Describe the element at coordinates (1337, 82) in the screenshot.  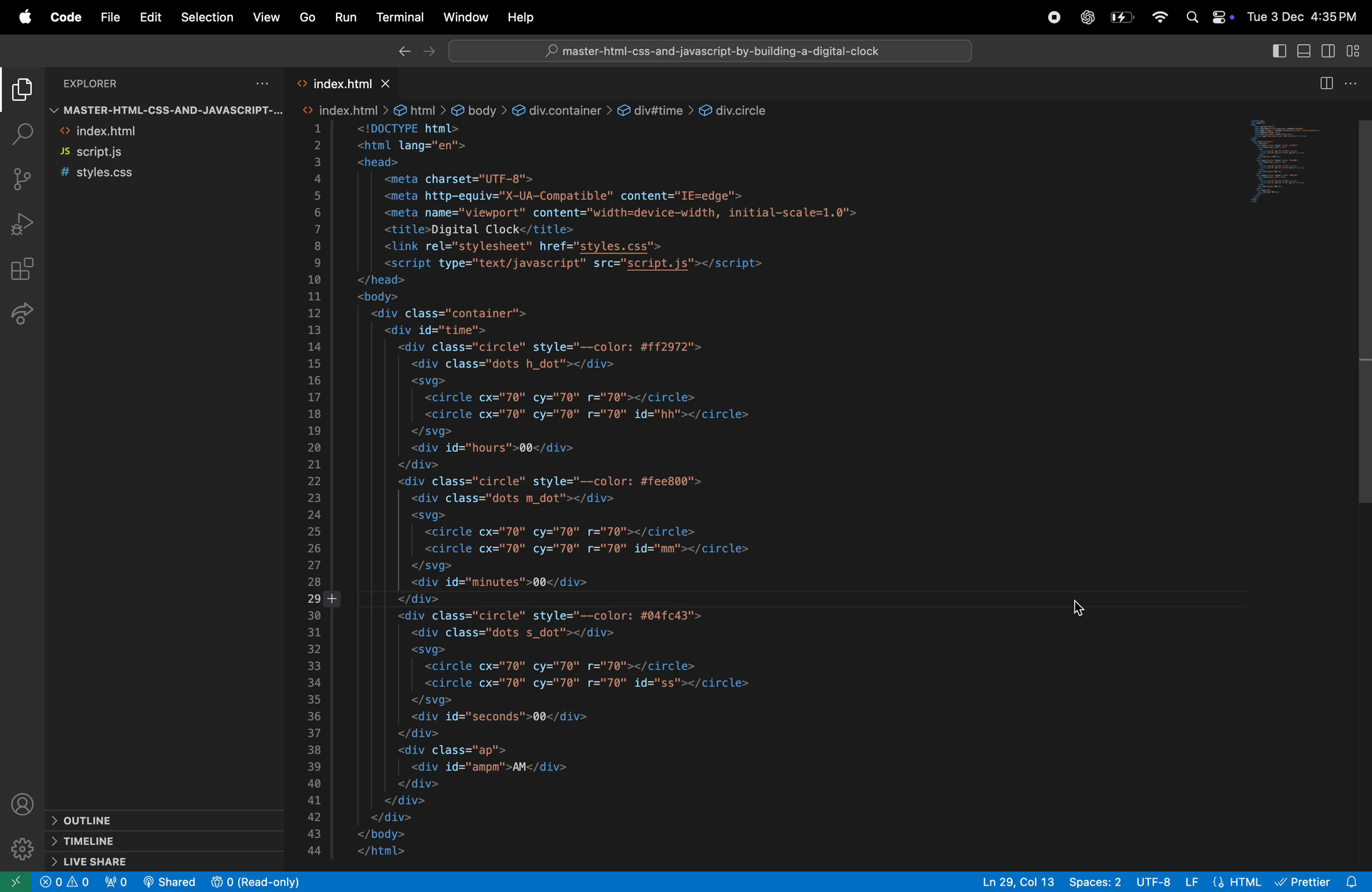
I see `toggle editor` at that location.